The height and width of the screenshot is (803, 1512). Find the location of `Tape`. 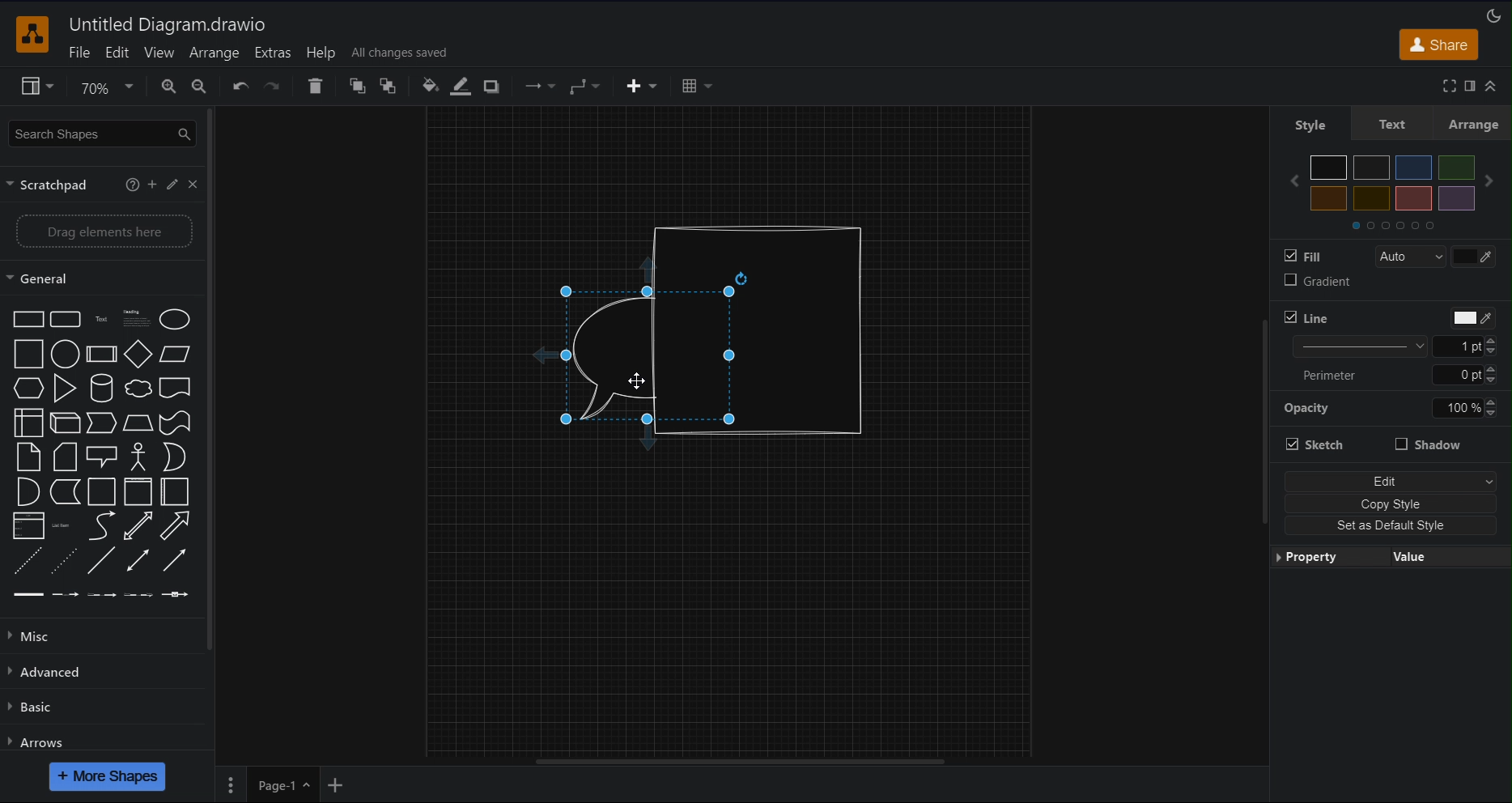

Tape is located at coordinates (174, 423).